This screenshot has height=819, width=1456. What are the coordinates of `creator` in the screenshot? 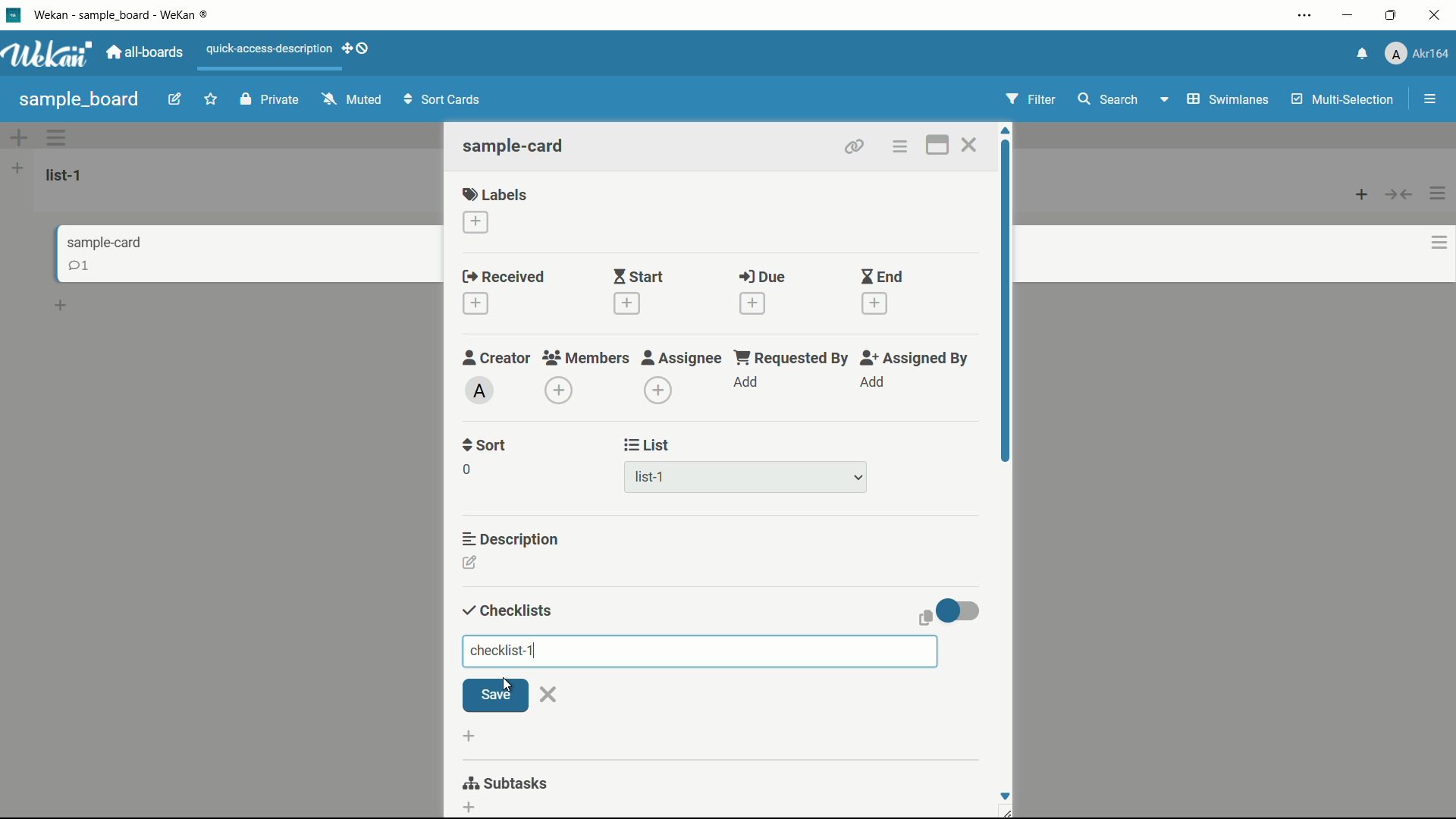 It's located at (494, 359).